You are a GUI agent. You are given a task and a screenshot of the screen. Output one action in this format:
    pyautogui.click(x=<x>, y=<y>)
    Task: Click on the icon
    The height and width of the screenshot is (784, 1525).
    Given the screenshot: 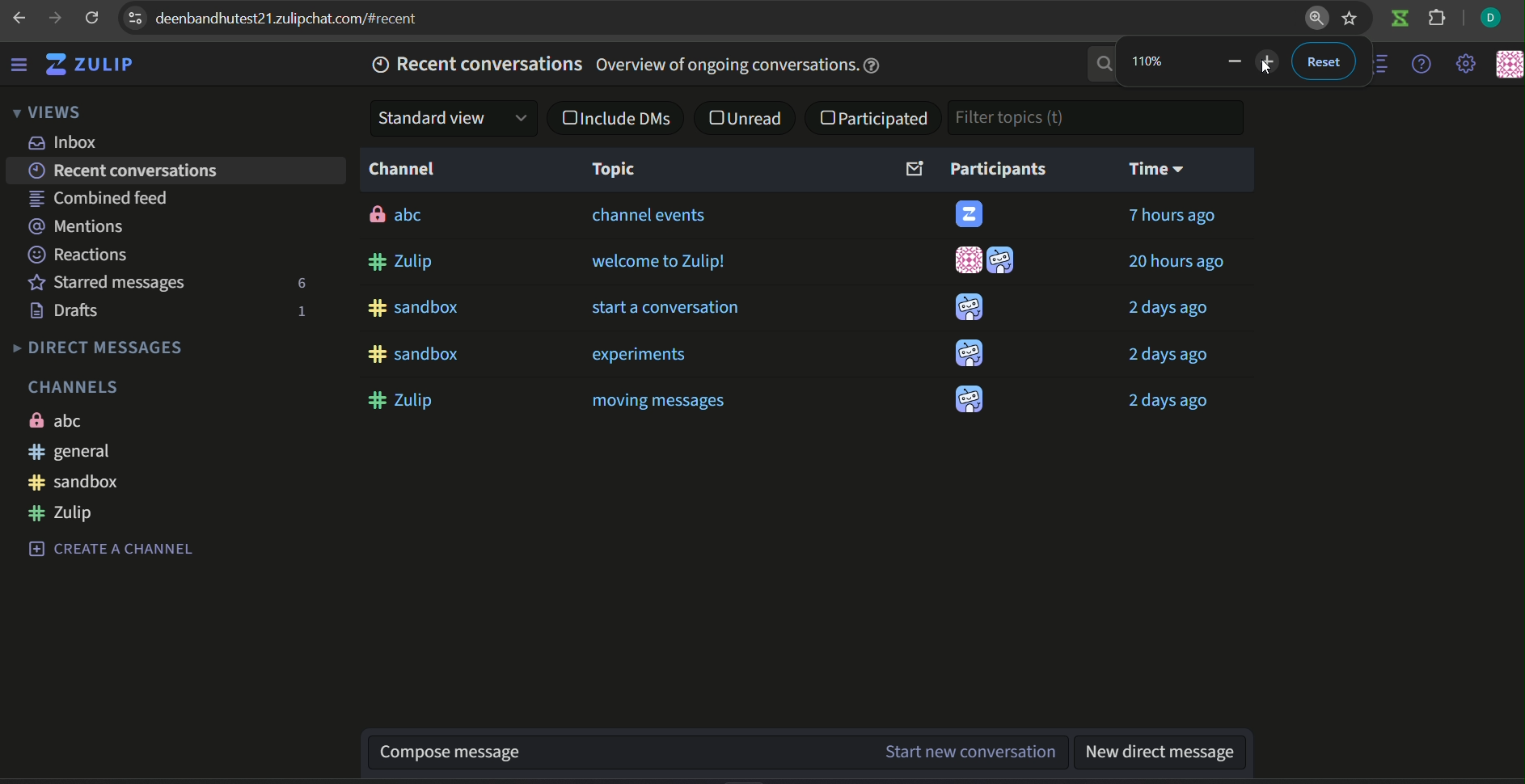 What is the action you would take?
    pyautogui.click(x=1507, y=65)
    